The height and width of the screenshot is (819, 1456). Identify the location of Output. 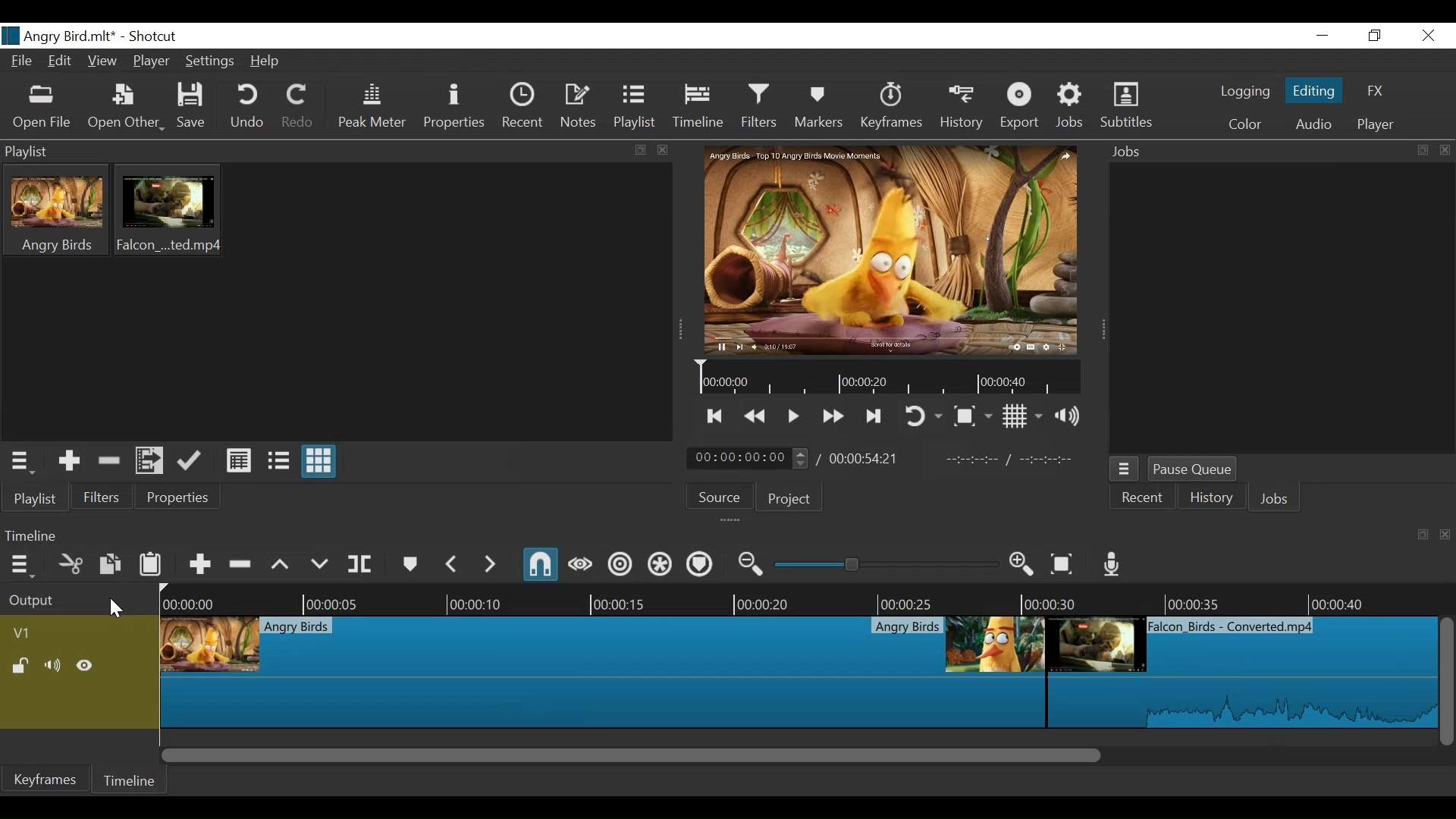
(77, 598).